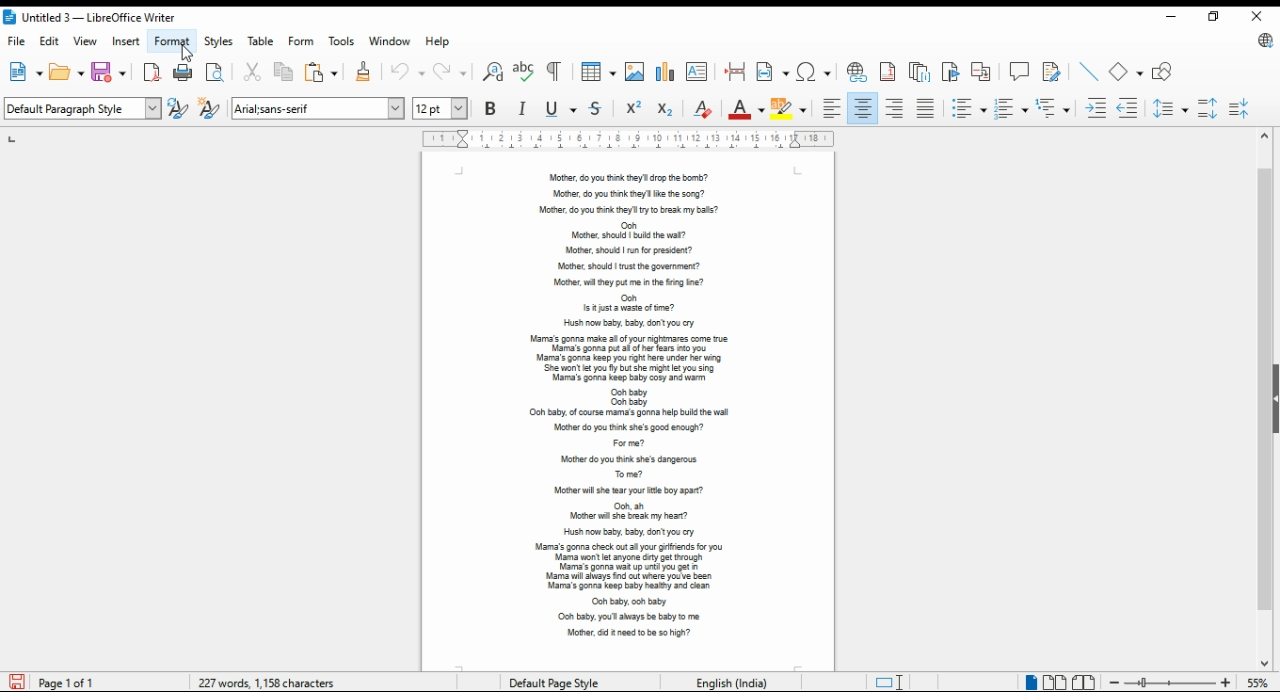 The height and width of the screenshot is (692, 1280). What do you see at coordinates (698, 71) in the screenshot?
I see `insert text box` at bounding box center [698, 71].